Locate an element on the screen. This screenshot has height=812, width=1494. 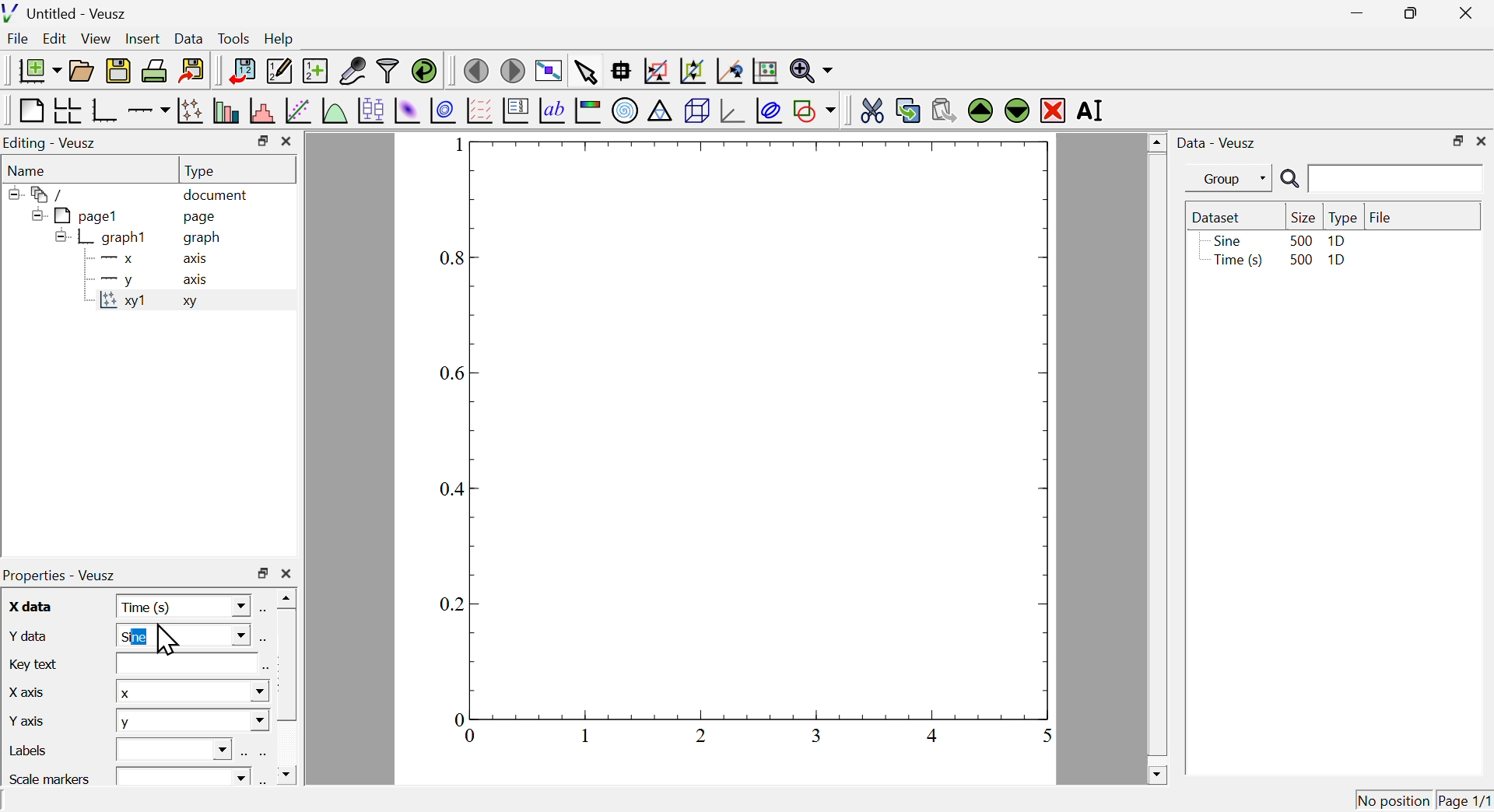
x axis is located at coordinates (26, 690).